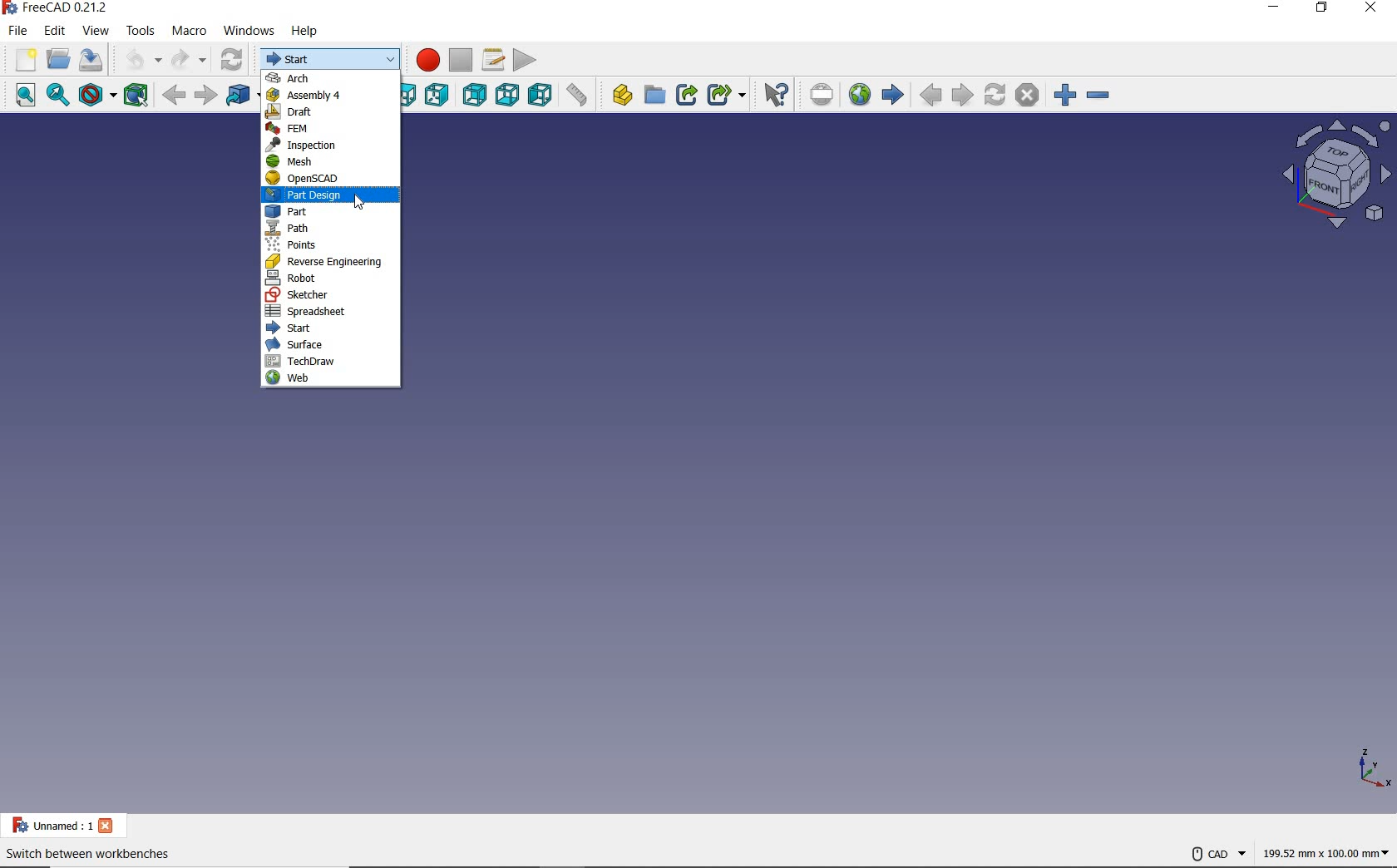 The height and width of the screenshot is (868, 1397). I want to click on MACRO RECORDING, so click(425, 59).